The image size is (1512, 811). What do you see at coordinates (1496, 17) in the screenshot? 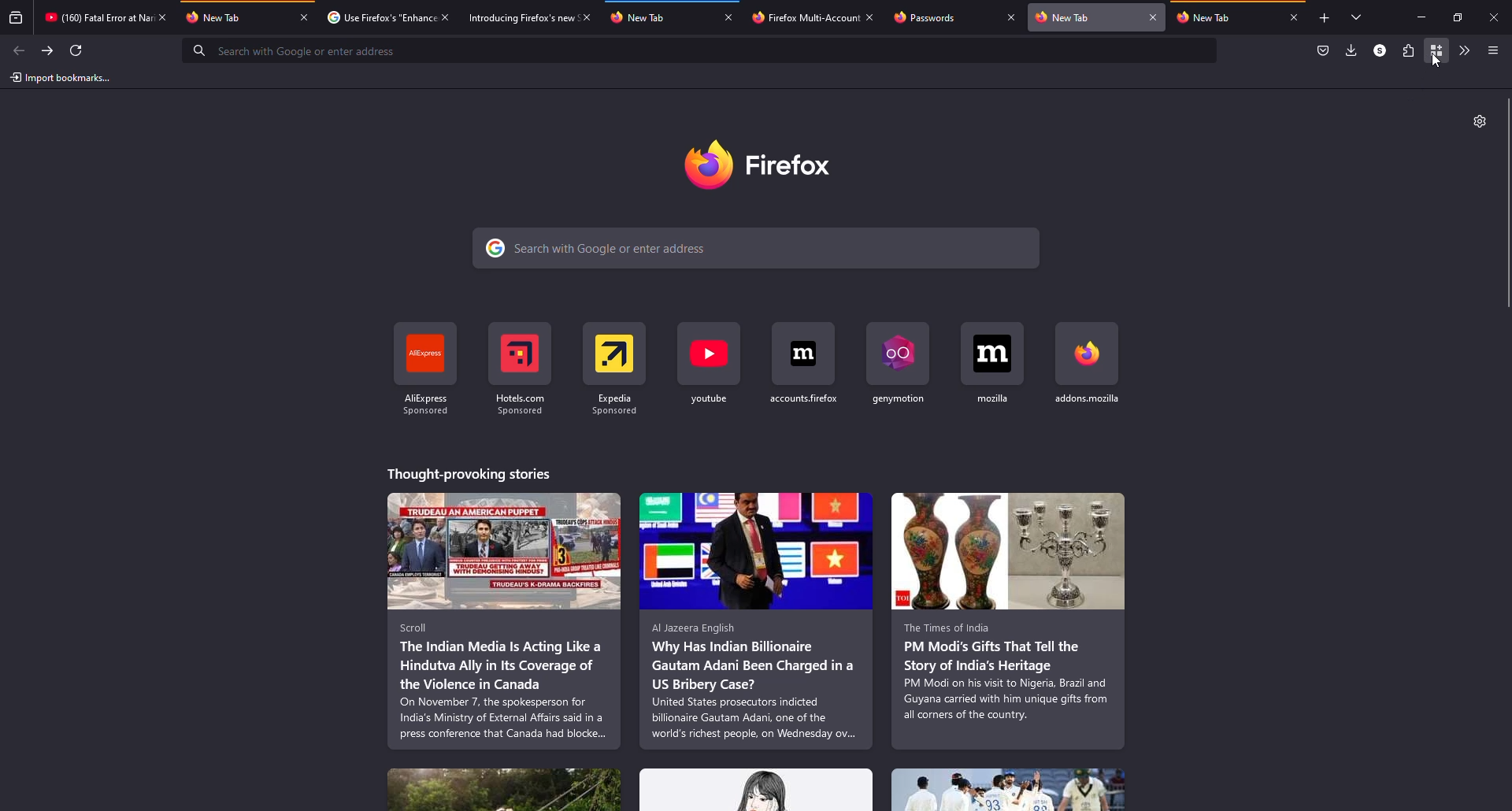
I see `close` at bounding box center [1496, 17].